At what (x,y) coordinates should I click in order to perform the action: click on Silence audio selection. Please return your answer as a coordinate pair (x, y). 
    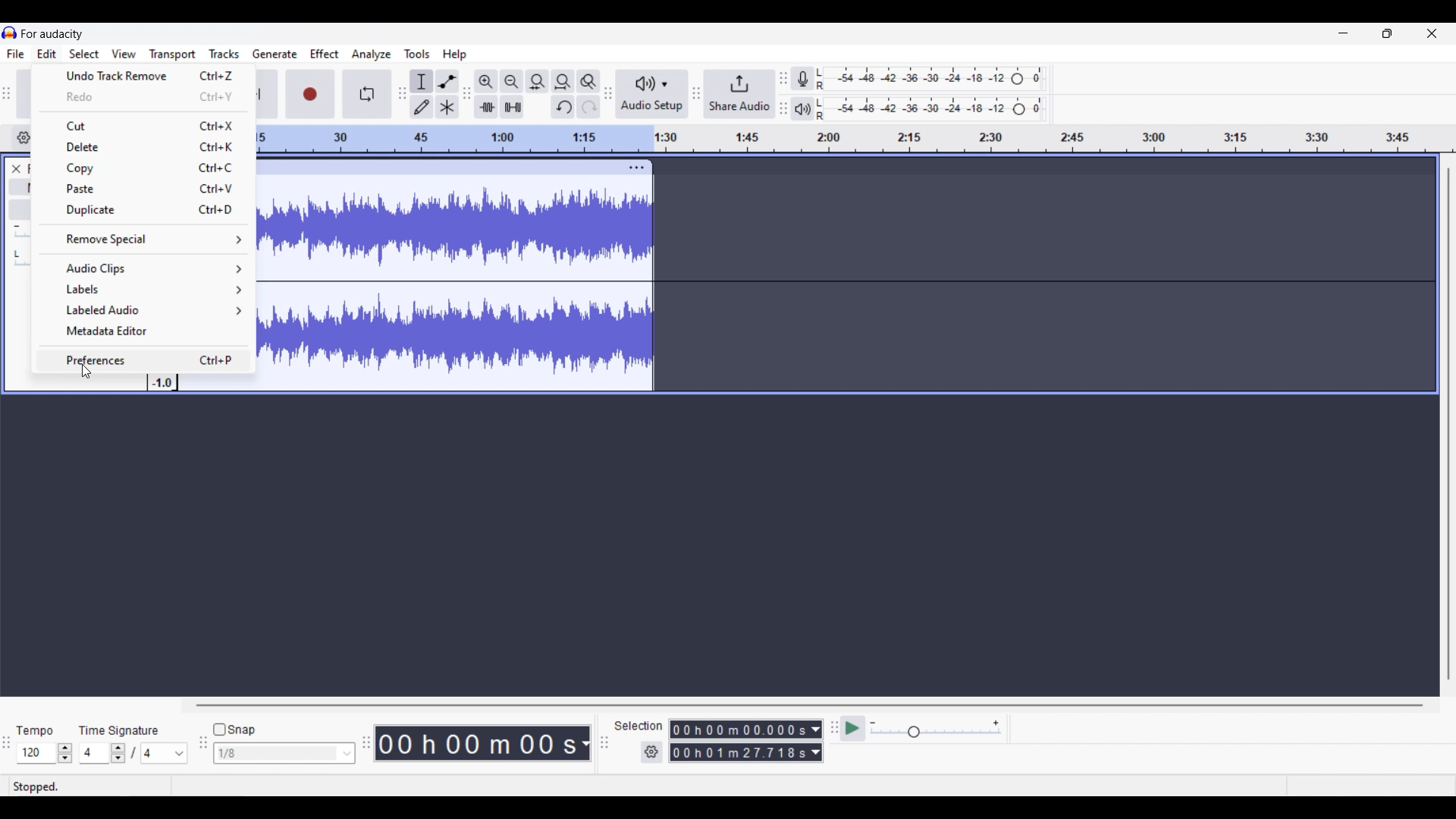
    Looking at the image, I should click on (512, 107).